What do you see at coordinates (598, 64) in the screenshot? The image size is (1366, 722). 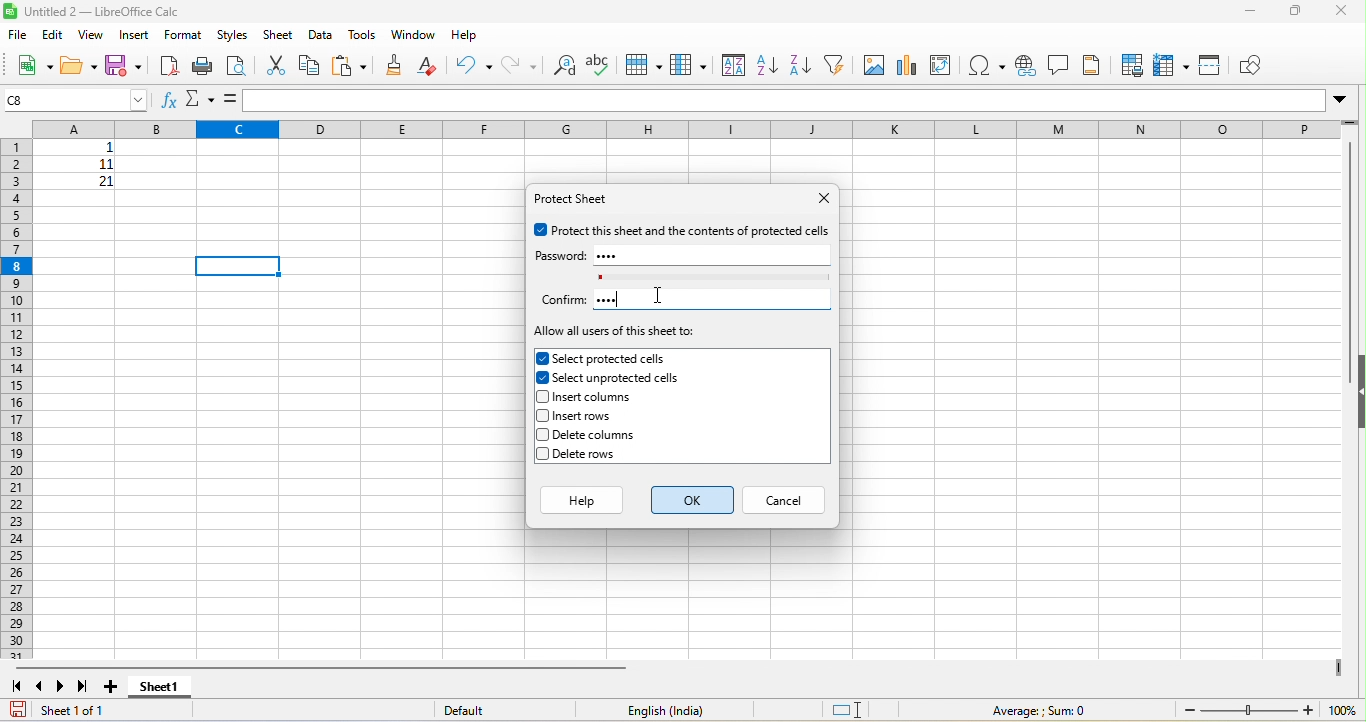 I see `spelling` at bounding box center [598, 64].